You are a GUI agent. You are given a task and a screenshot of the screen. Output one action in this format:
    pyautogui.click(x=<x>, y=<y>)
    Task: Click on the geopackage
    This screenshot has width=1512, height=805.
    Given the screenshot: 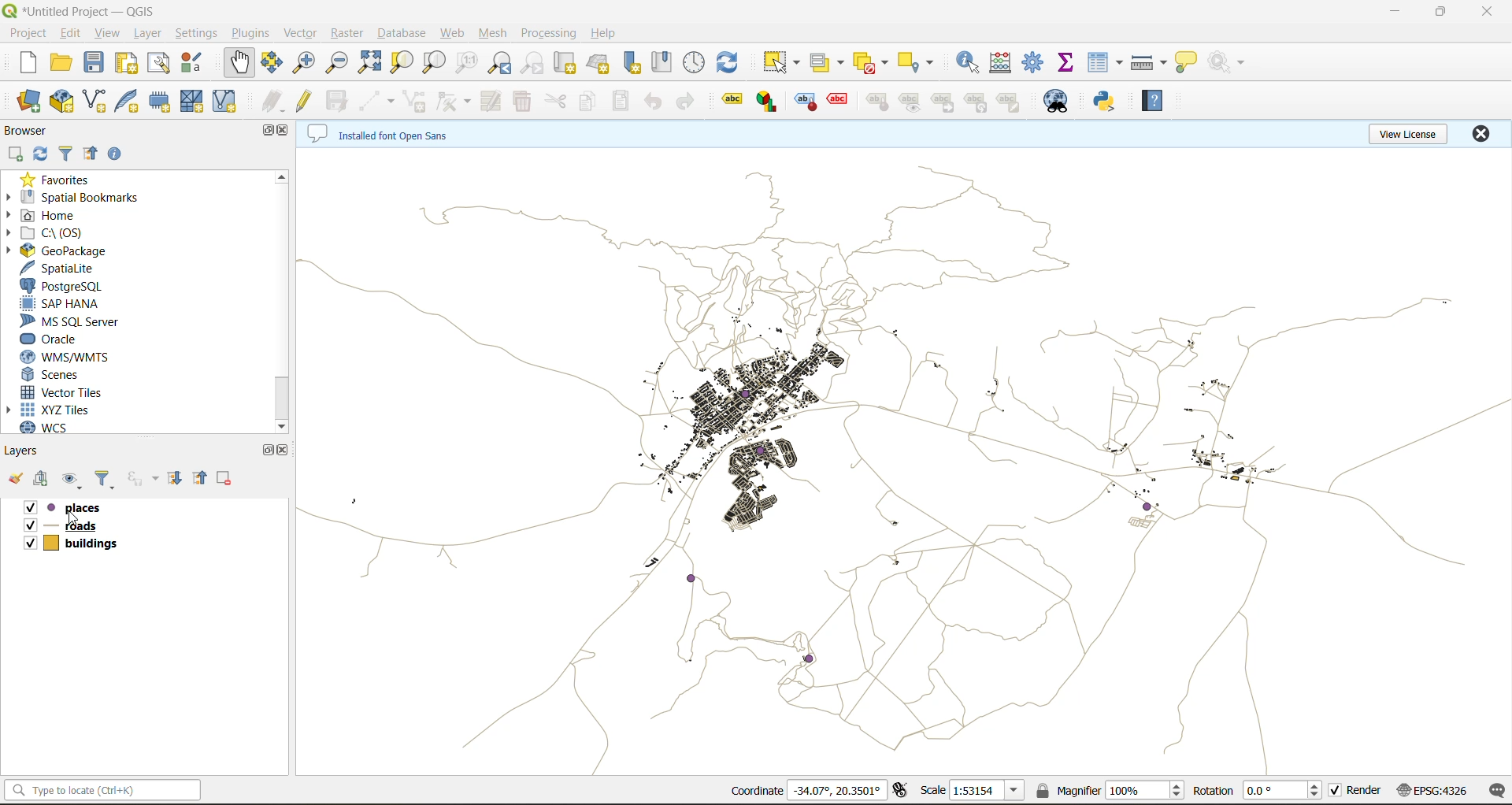 What is the action you would take?
    pyautogui.click(x=76, y=251)
    